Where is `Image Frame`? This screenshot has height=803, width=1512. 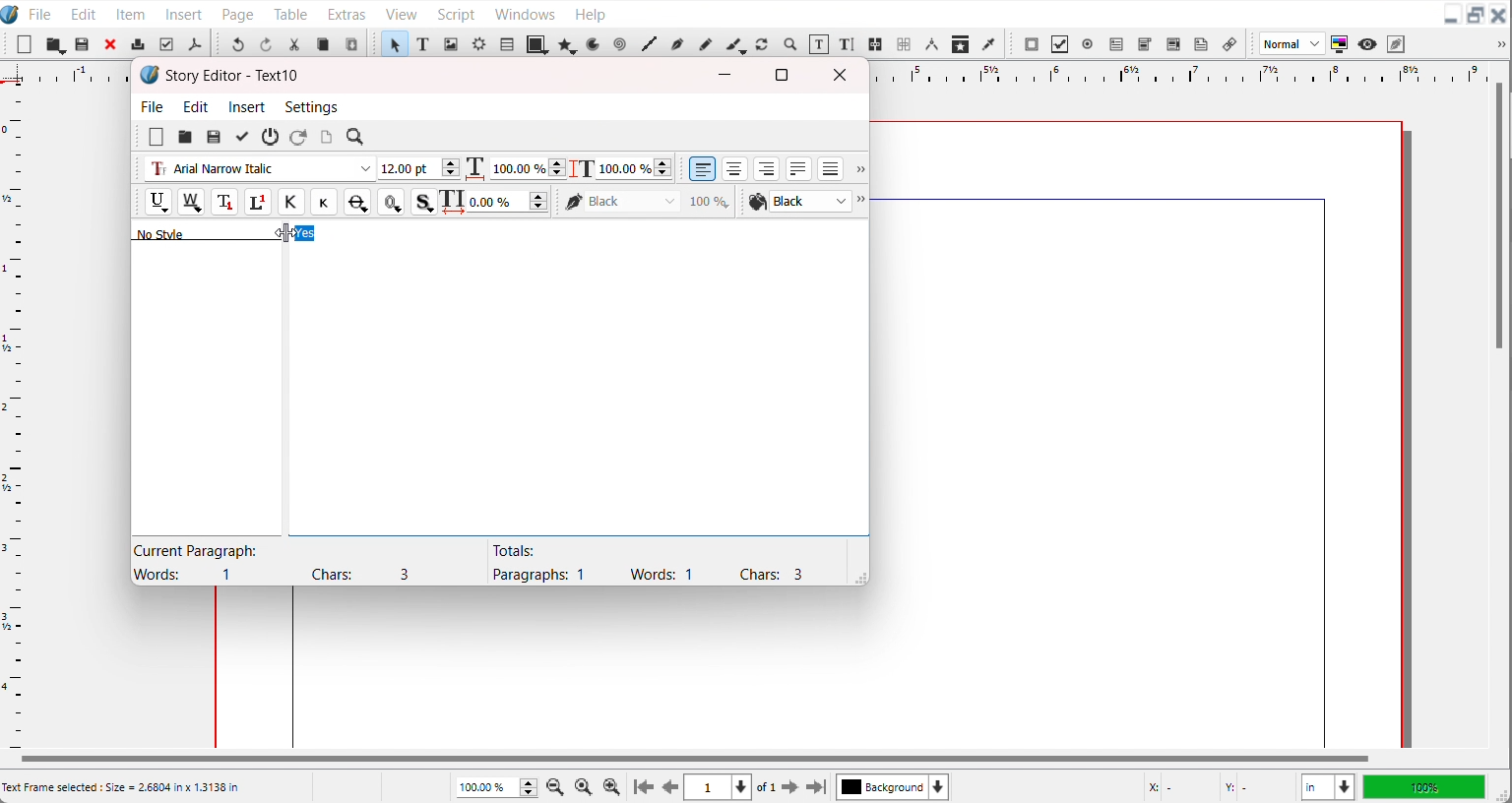 Image Frame is located at coordinates (451, 43).